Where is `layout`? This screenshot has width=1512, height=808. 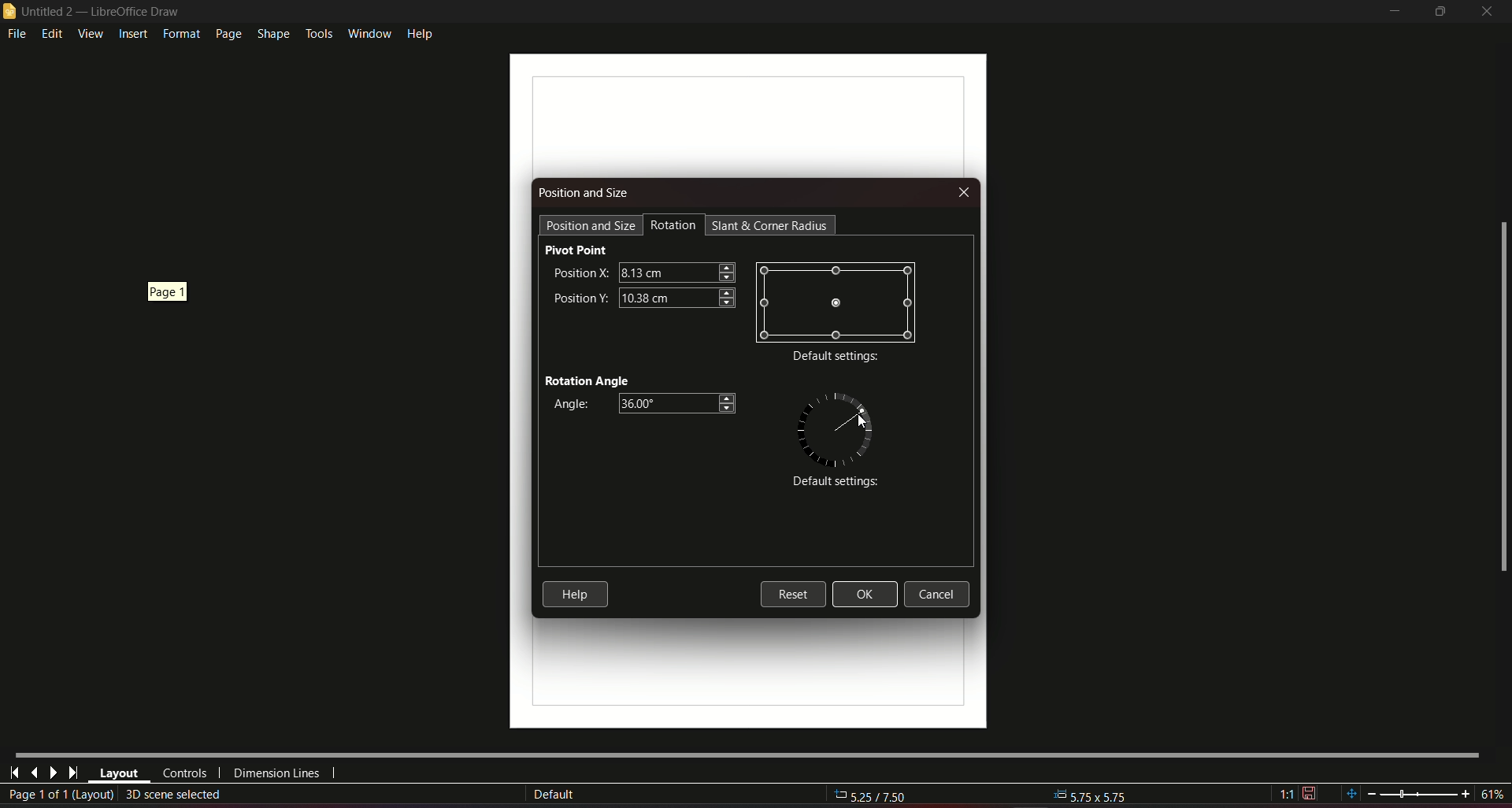
layout is located at coordinates (119, 774).